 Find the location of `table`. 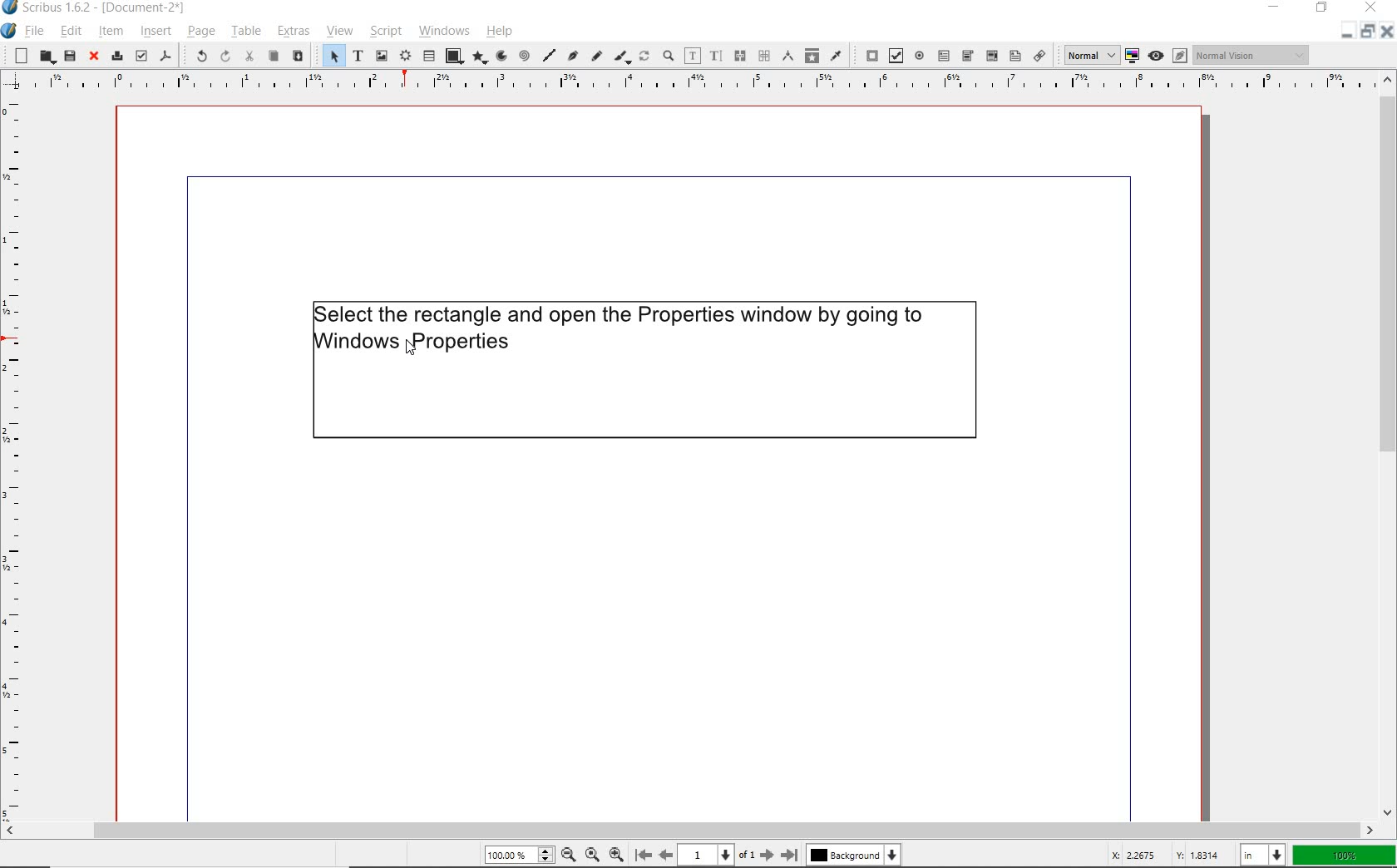

table is located at coordinates (245, 32).